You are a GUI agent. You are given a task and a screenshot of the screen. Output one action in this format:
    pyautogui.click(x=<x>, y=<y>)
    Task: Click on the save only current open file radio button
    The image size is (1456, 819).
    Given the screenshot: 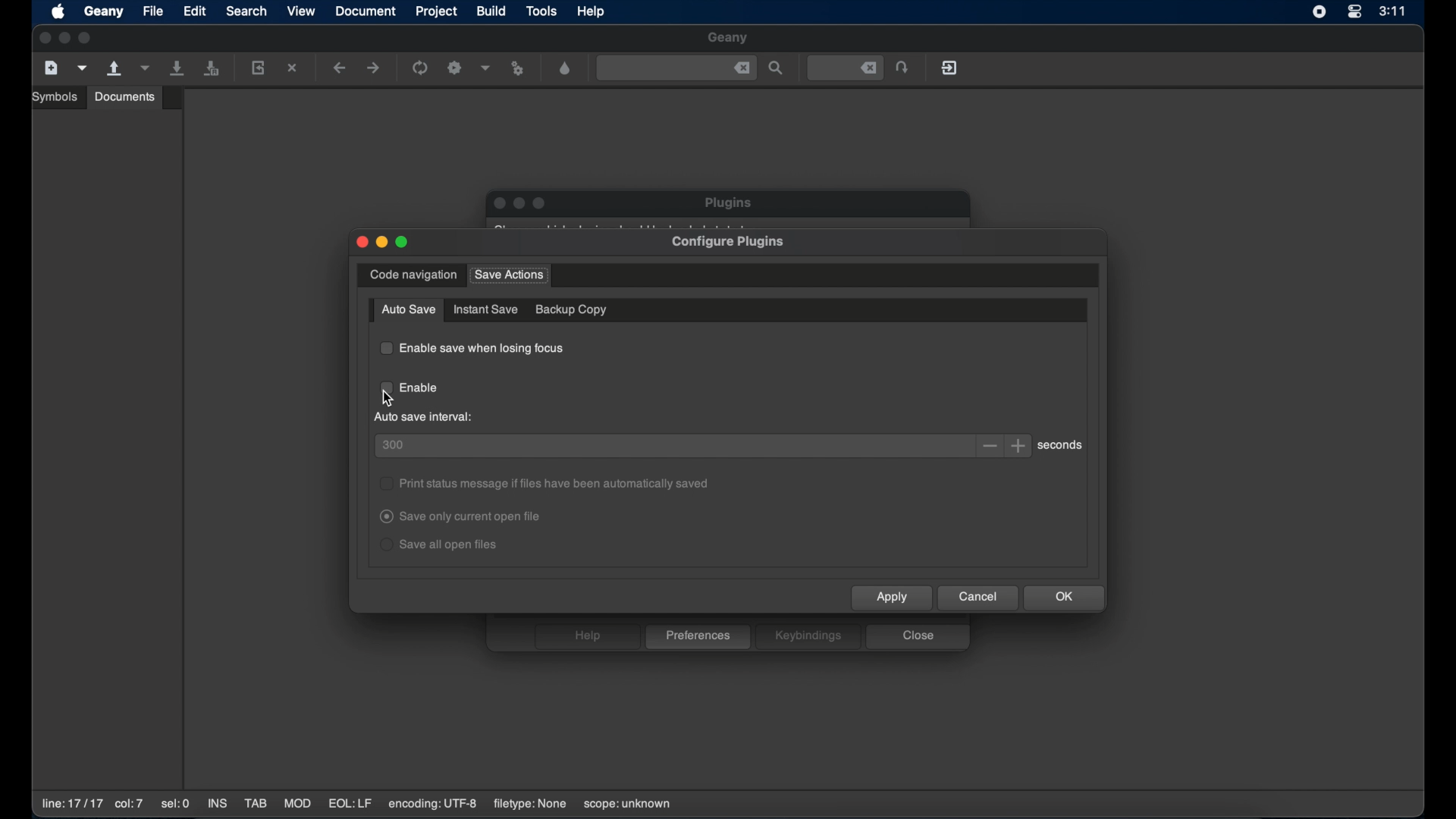 What is the action you would take?
    pyautogui.click(x=463, y=517)
    